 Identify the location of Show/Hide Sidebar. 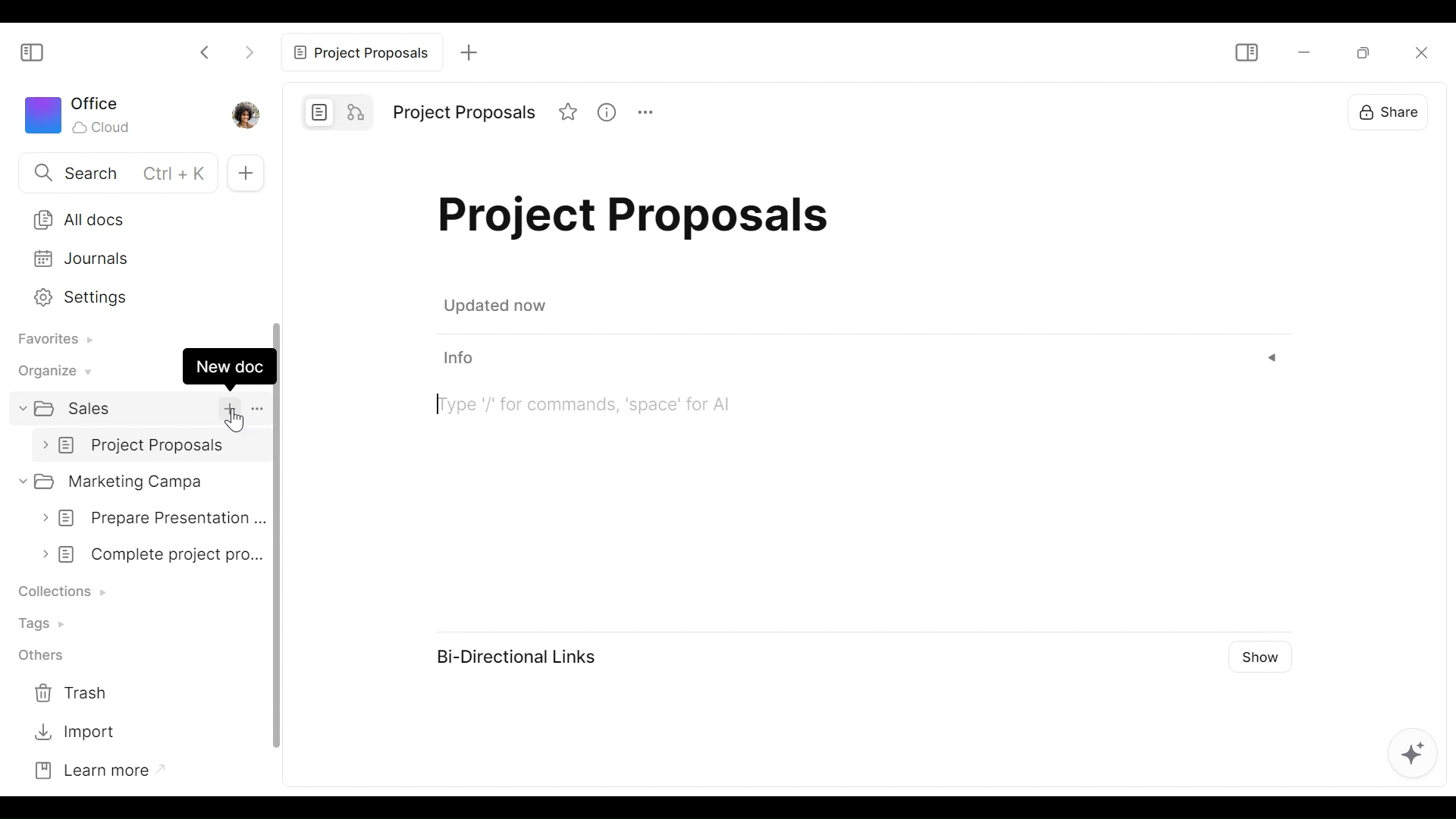
(33, 53).